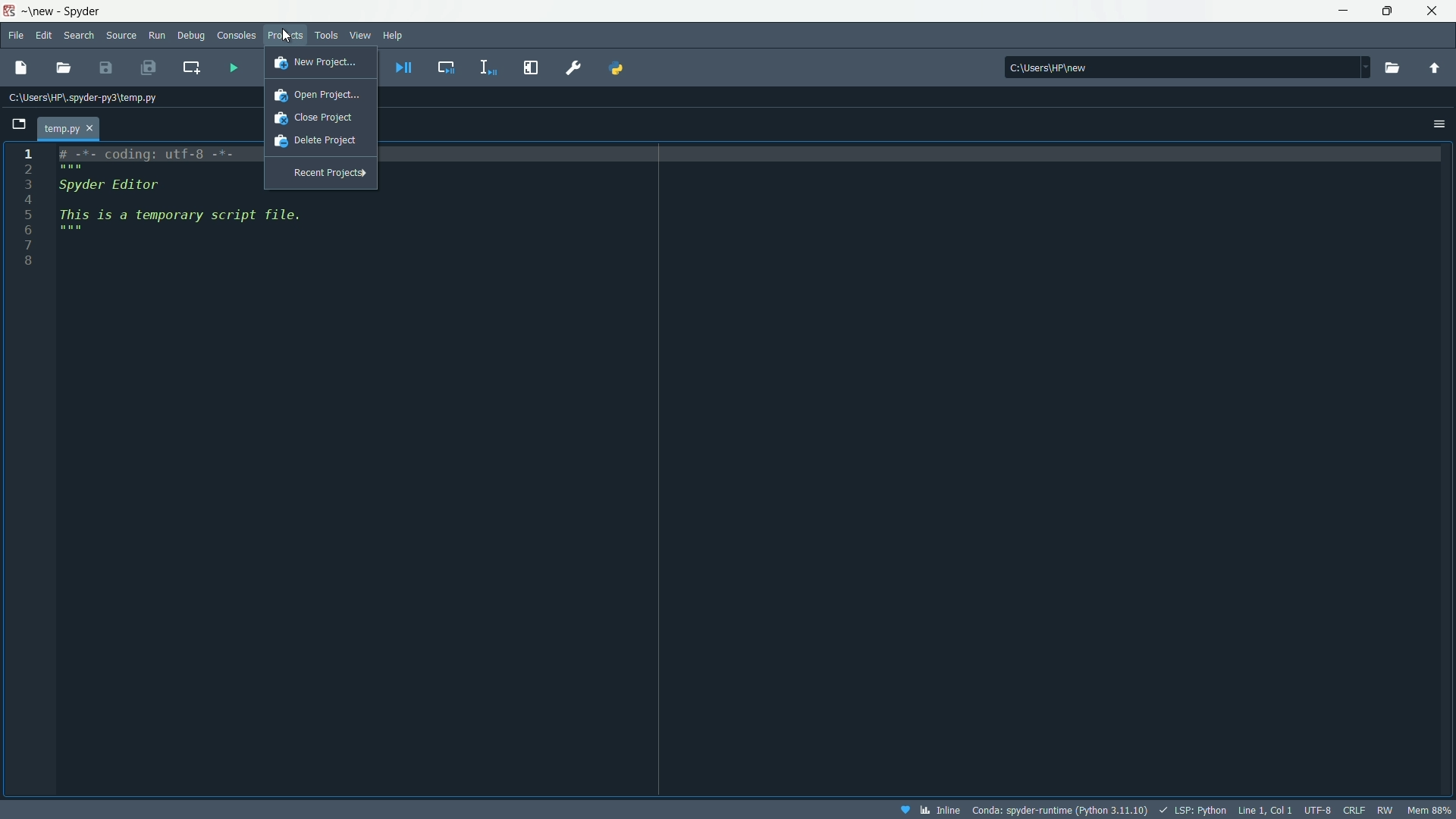 This screenshot has height=819, width=1456. I want to click on Browse working directory, so click(1394, 64).